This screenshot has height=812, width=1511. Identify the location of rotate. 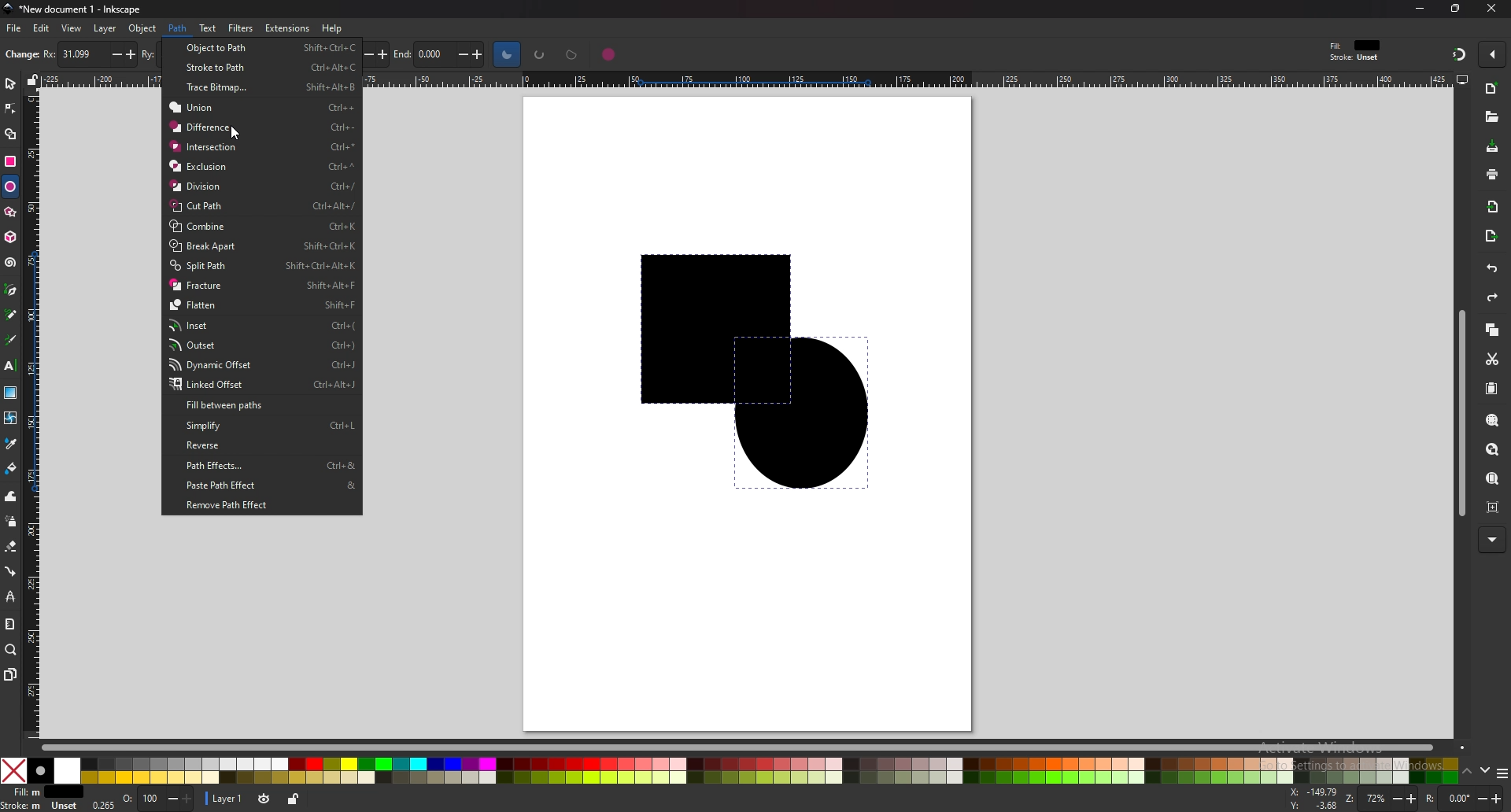
(1463, 799).